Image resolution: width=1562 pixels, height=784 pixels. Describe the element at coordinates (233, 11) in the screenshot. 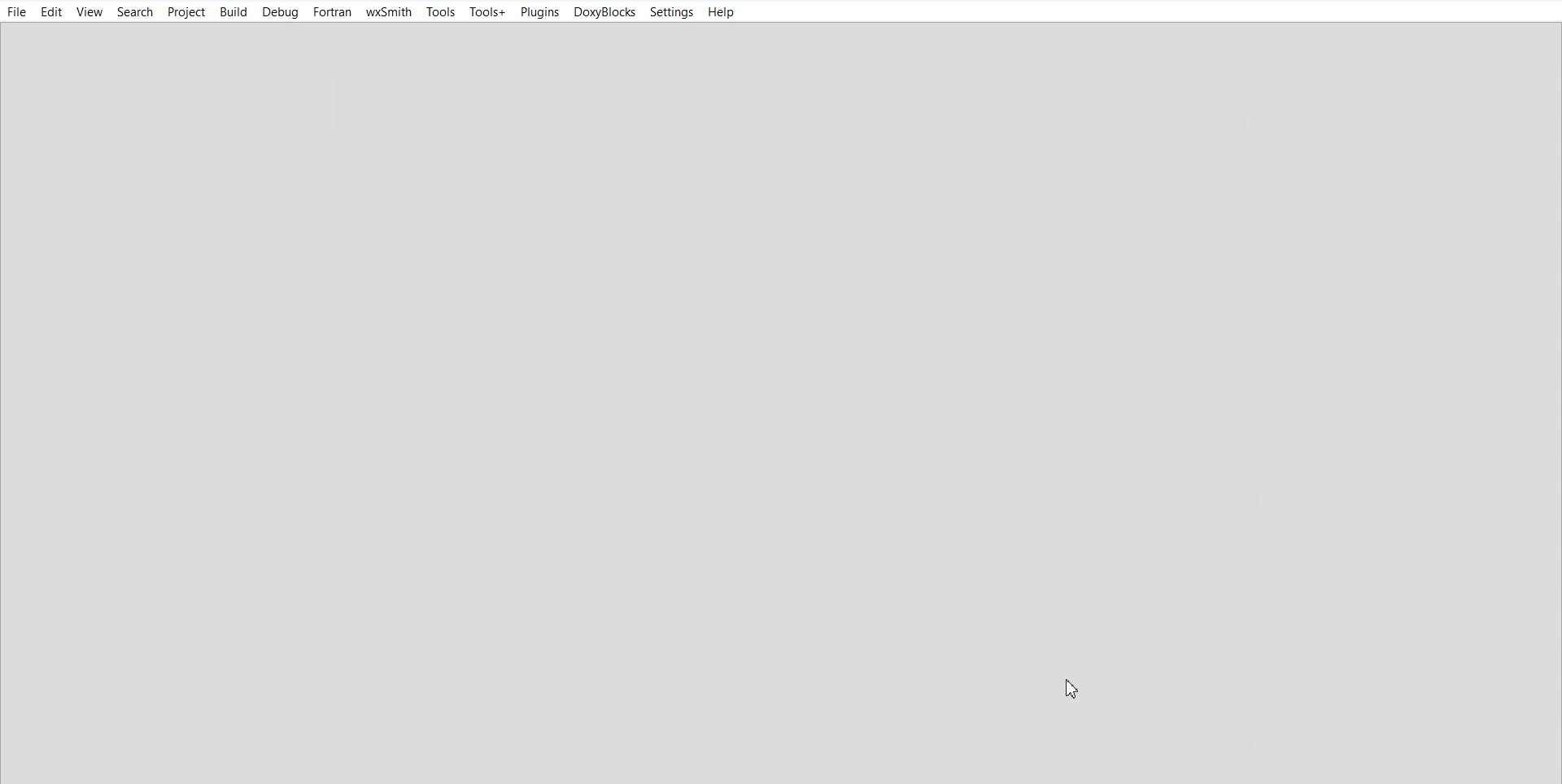

I see `Build` at that location.